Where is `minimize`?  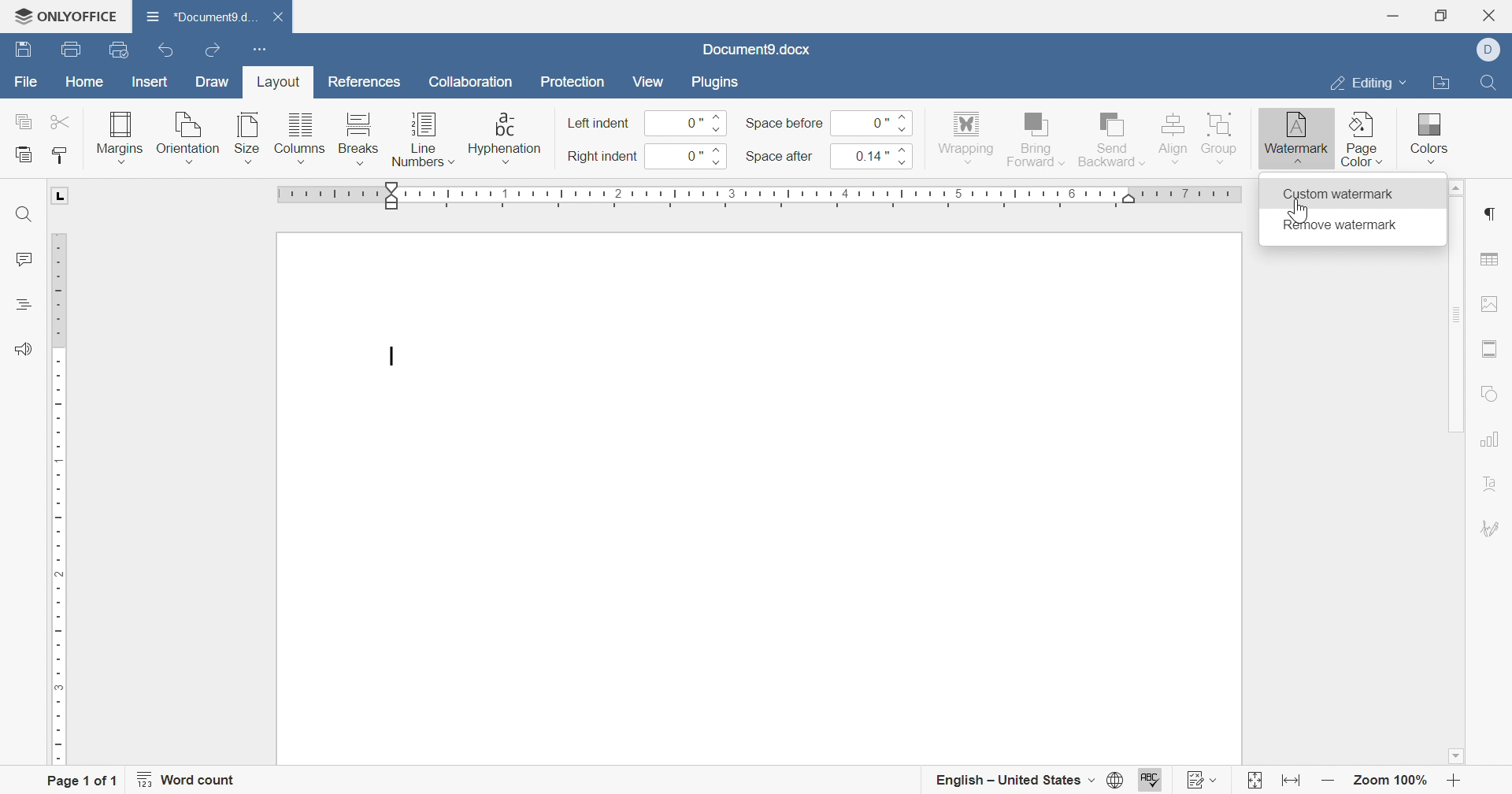
minimize is located at coordinates (1392, 16).